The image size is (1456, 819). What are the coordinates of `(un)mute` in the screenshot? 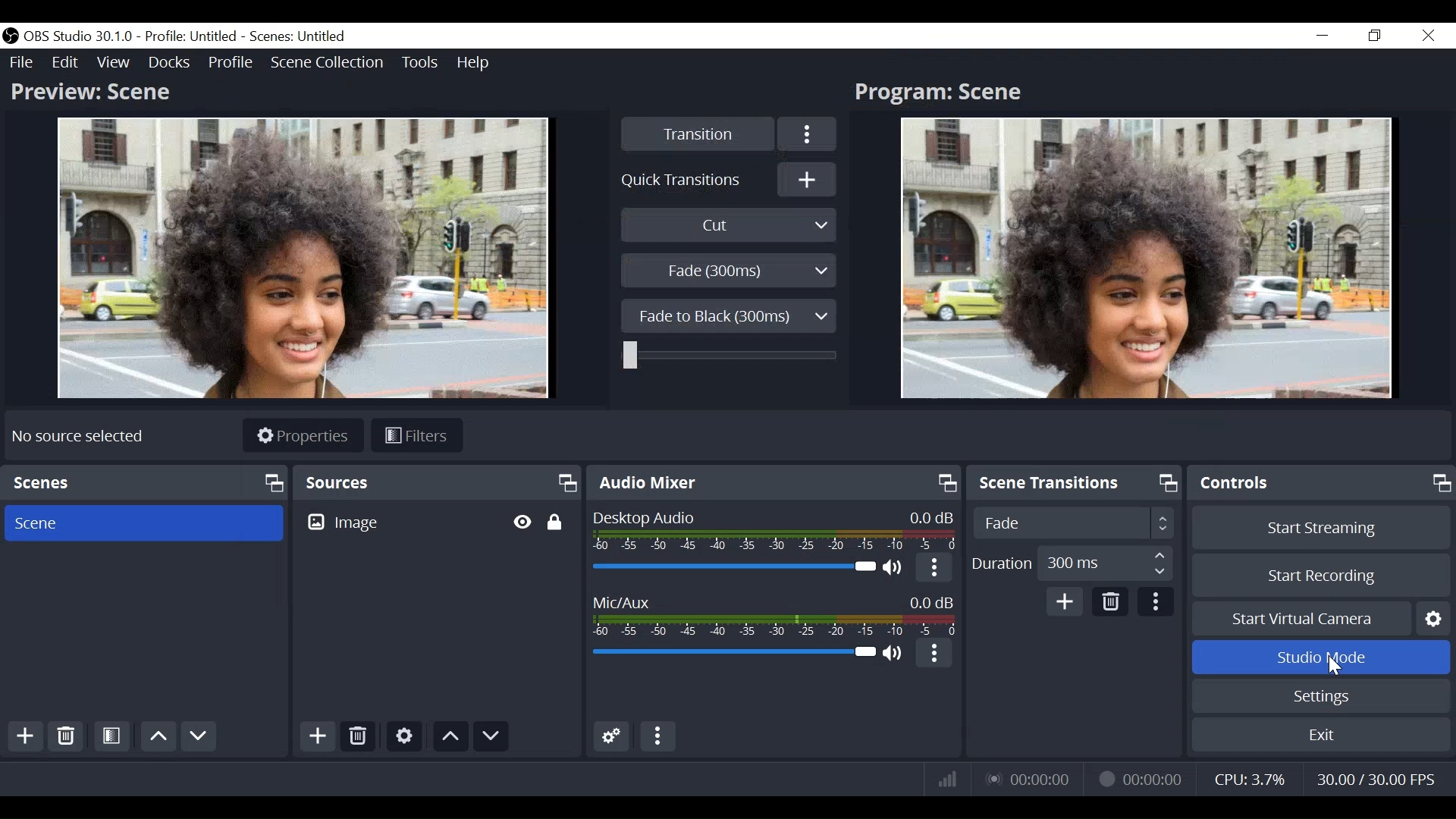 It's located at (896, 568).